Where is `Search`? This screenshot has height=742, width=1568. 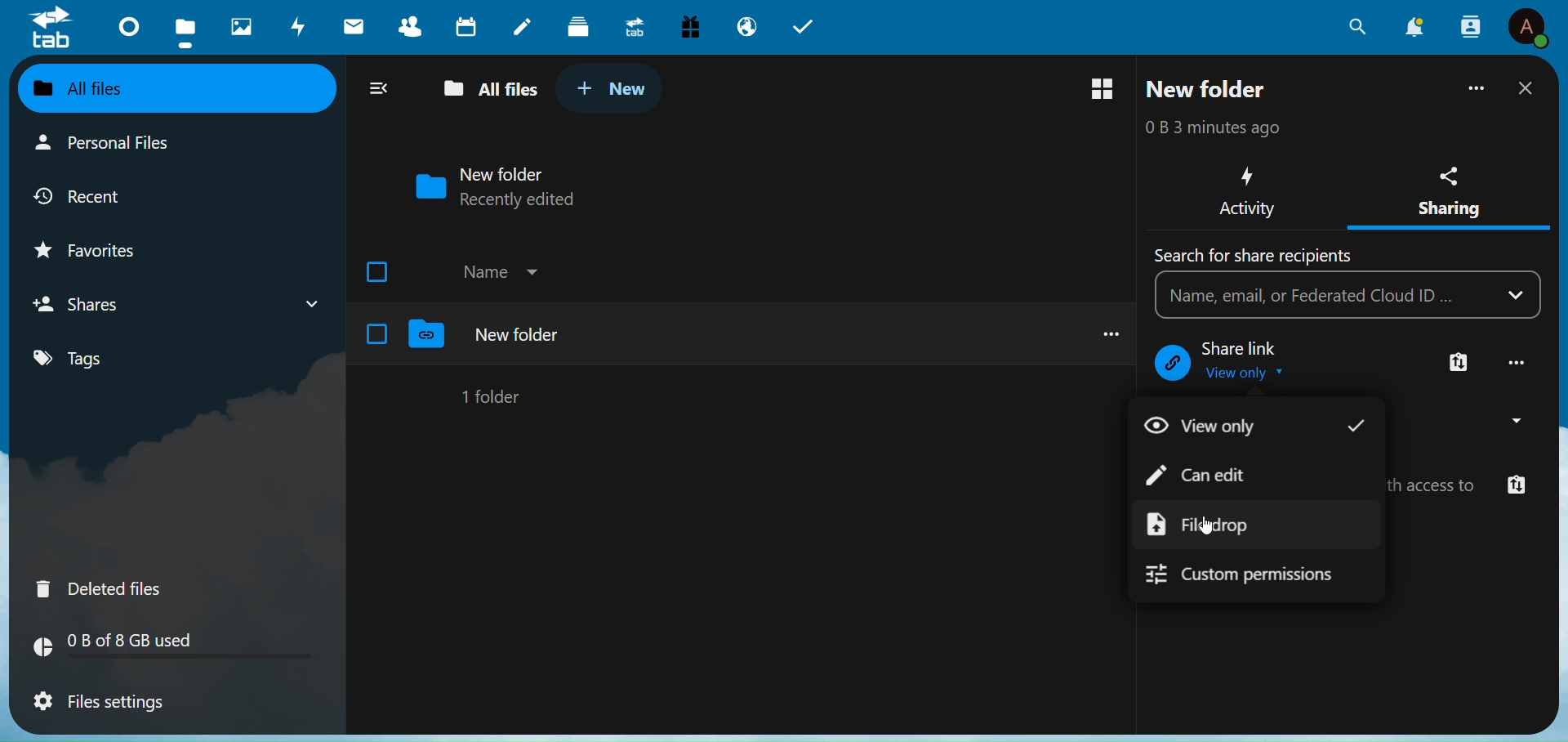 Search is located at coordinates (1354, 28).